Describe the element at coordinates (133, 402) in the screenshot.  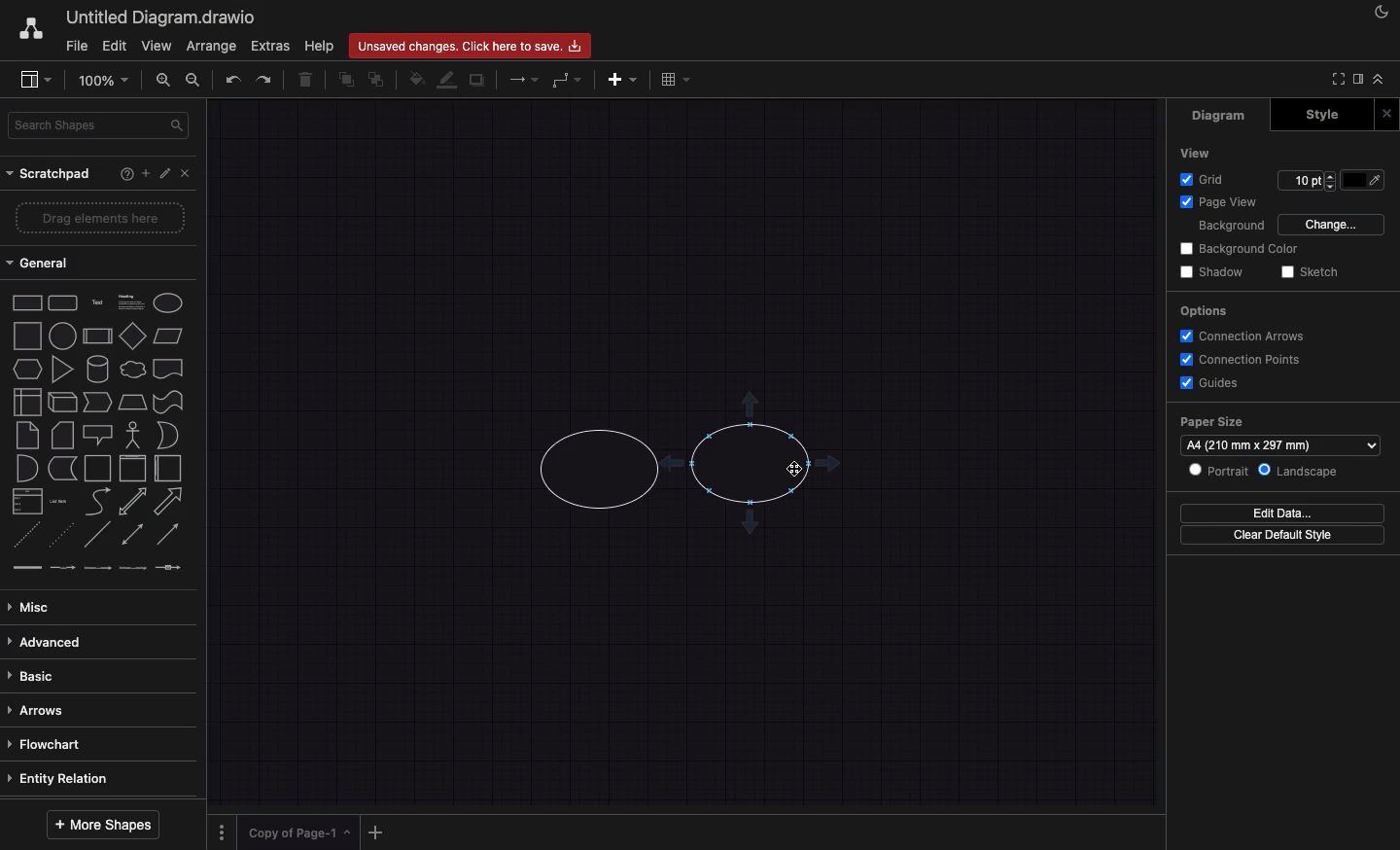
I see `trapezoid` at that location.